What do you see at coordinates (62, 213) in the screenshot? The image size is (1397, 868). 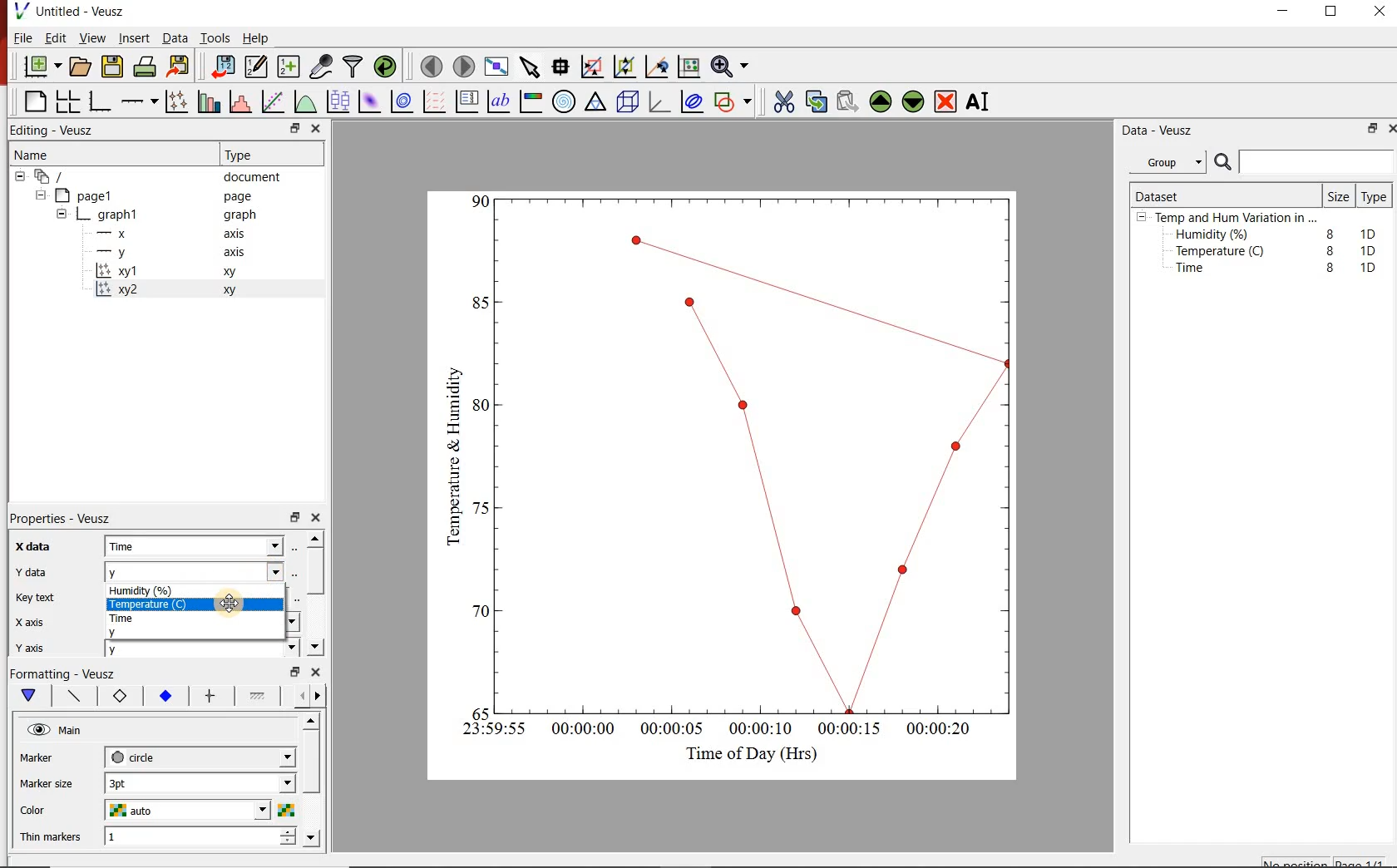 I see `hide sub menu` at bounding box center [62, 213].